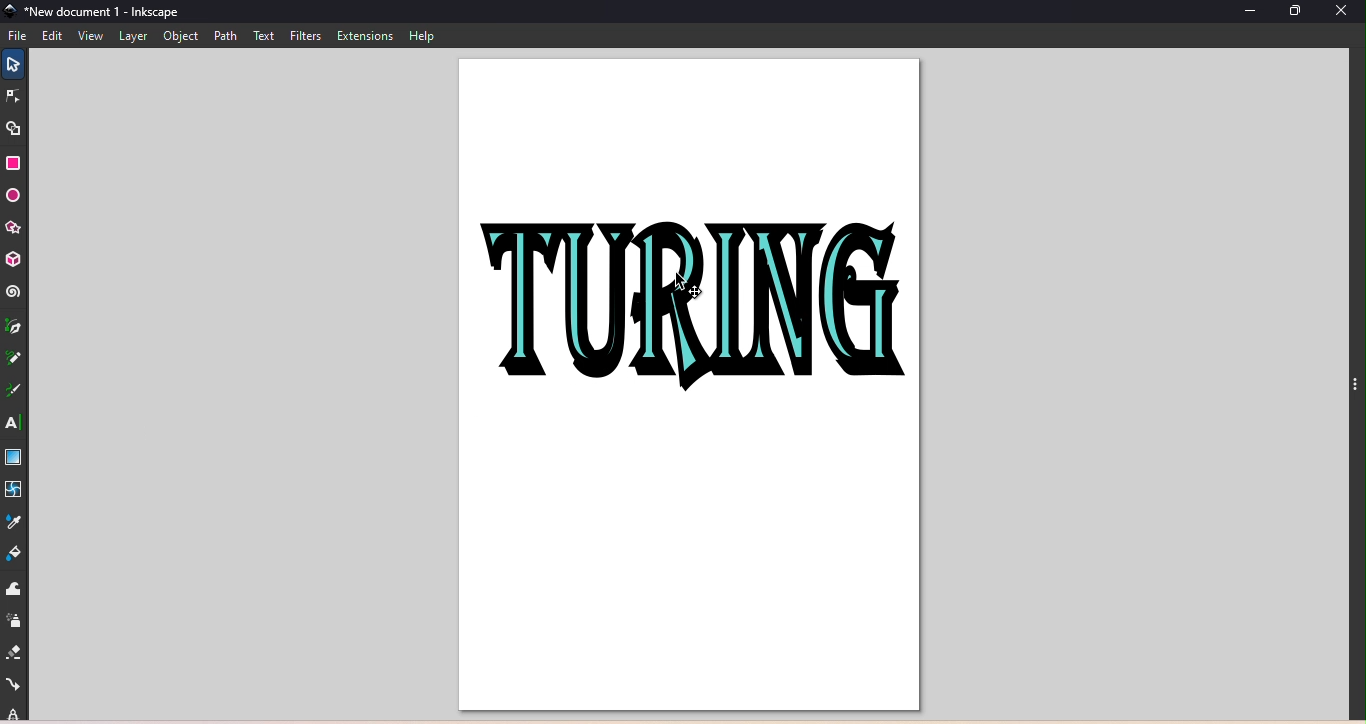  Describe the element at coordinates (18, 163) in the screenshot. I see `Rectangle tool` at that location.